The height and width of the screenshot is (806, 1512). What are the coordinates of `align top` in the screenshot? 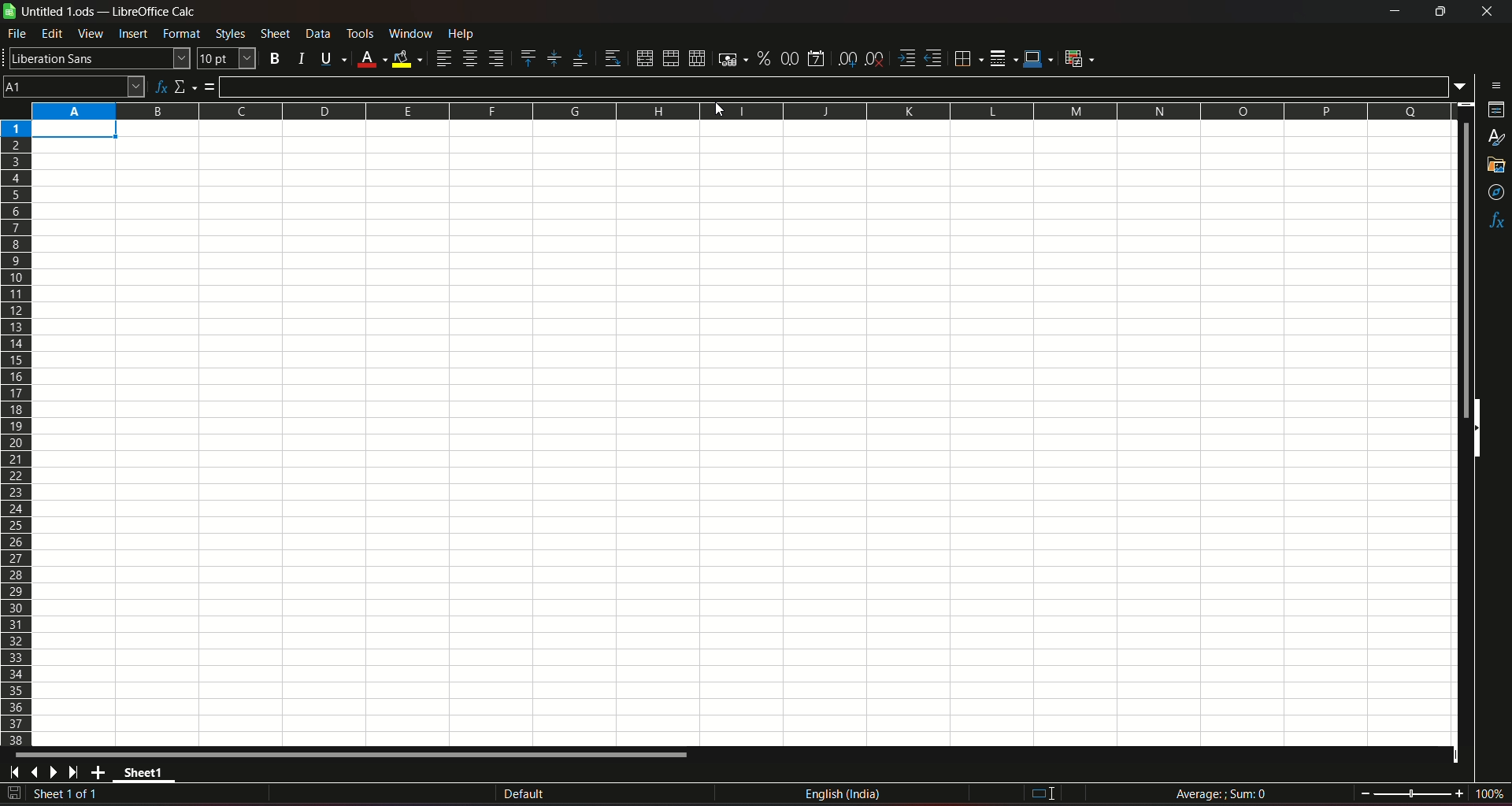 It's located at (528, 57).